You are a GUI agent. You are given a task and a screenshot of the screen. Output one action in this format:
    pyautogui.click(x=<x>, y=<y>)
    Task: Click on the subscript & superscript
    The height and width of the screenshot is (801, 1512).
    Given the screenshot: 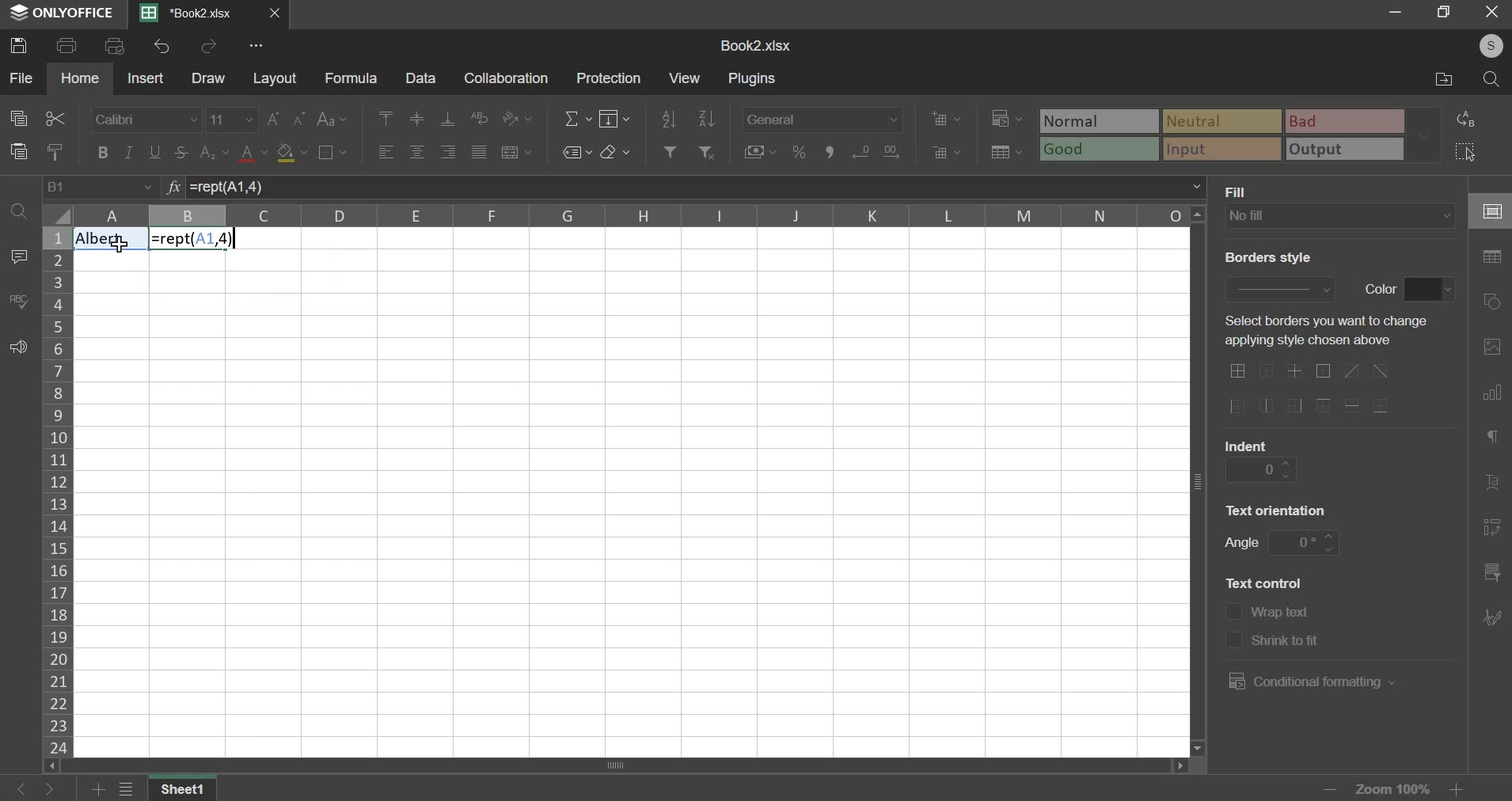 What is the action you would take?
    pyautogui.click(x=215, y=152)
    